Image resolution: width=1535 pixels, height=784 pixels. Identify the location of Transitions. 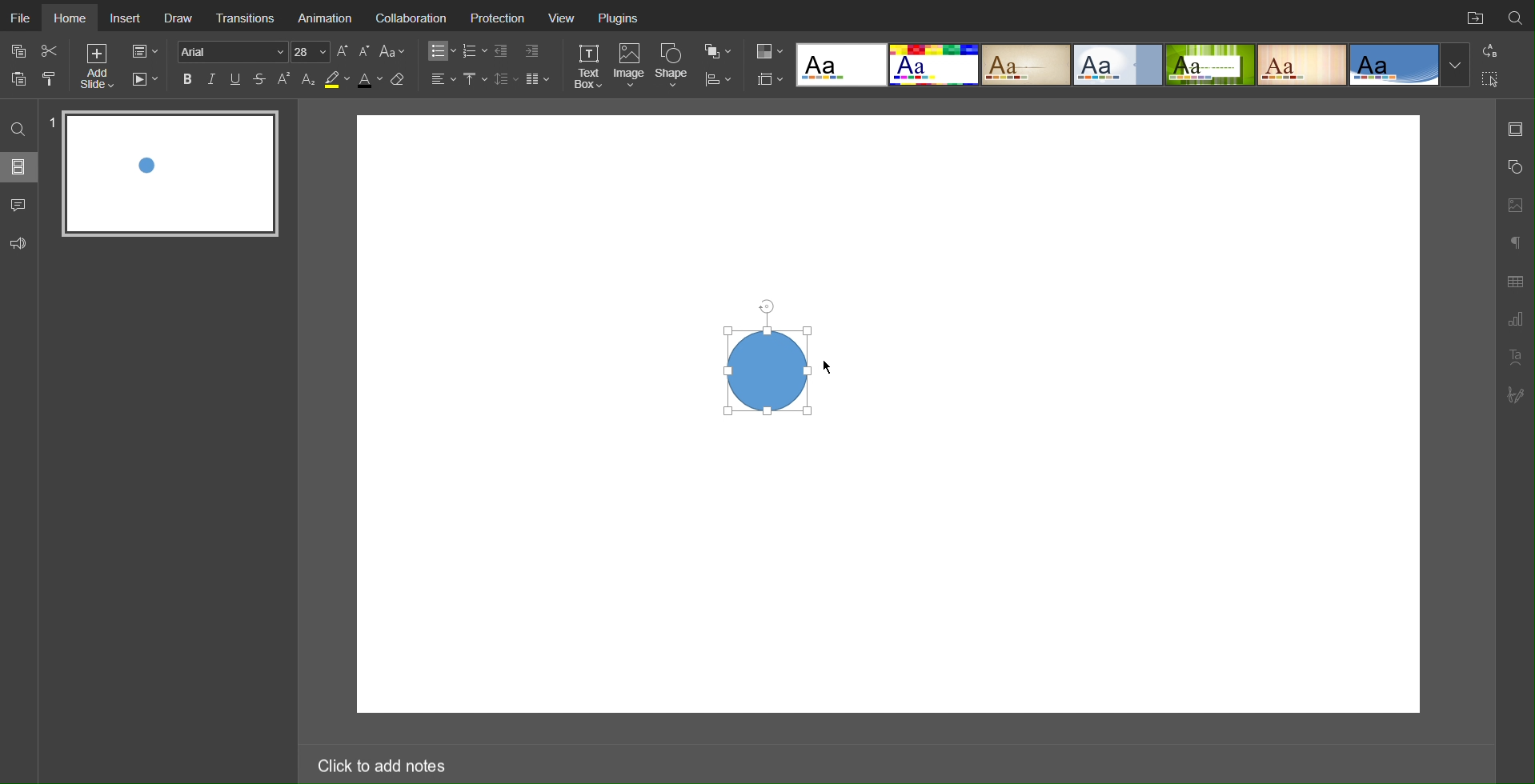
(246, 16).